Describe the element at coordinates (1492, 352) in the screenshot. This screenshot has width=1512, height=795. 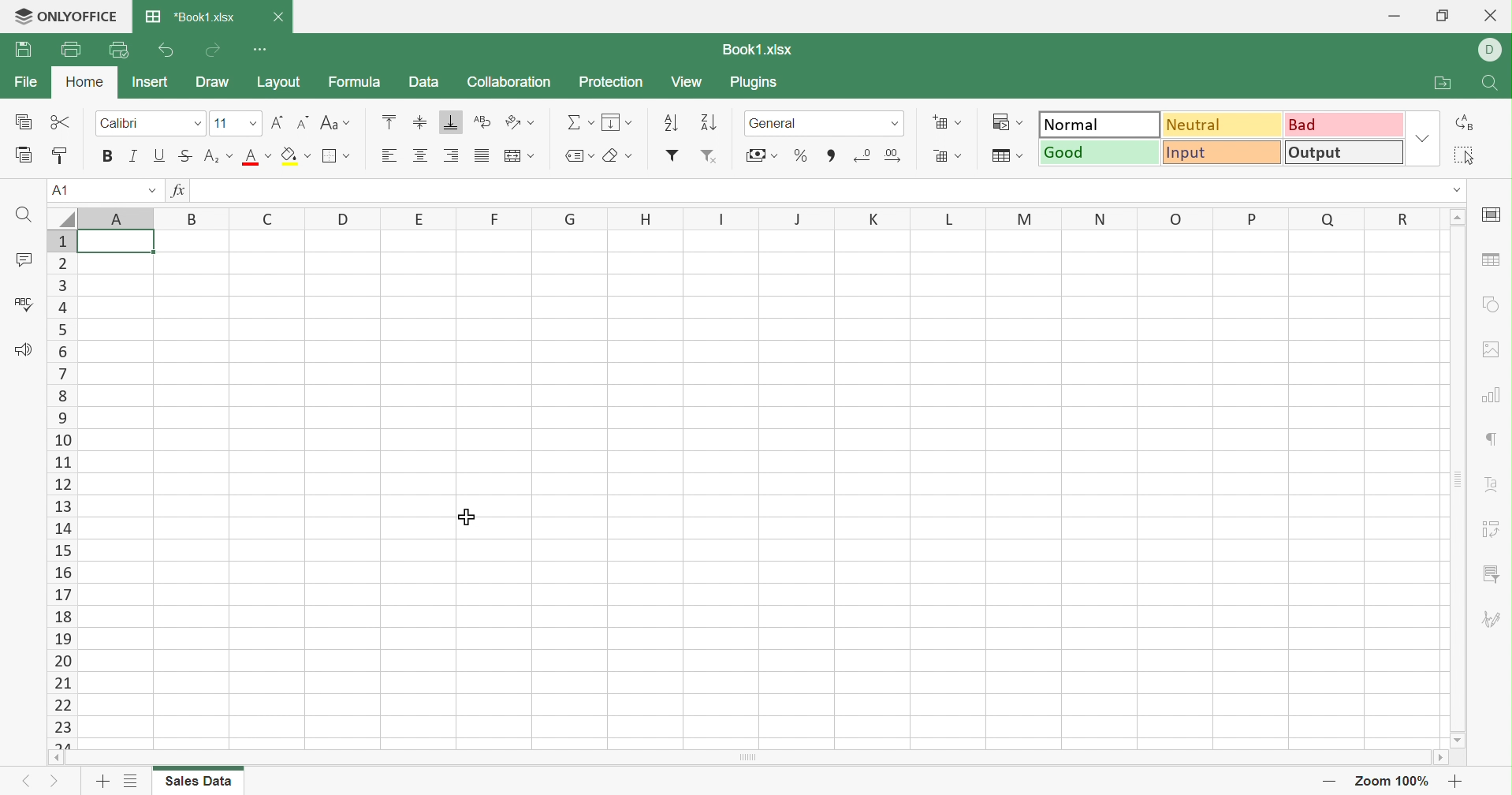
I see `Image settings` at that location.